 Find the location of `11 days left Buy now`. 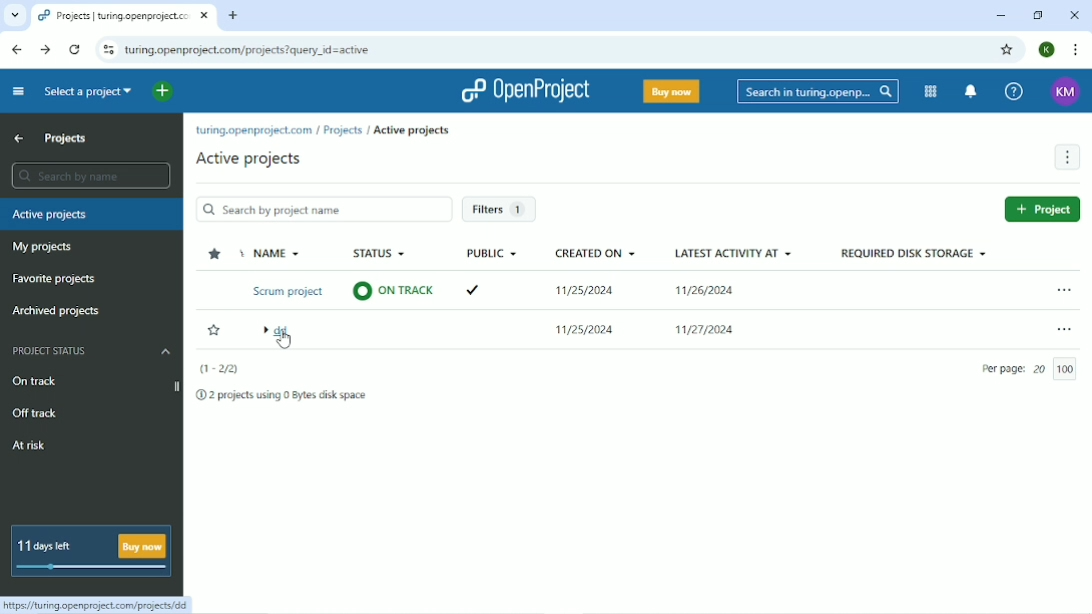

11 days left Buy now is located at coordinates (94, 550).